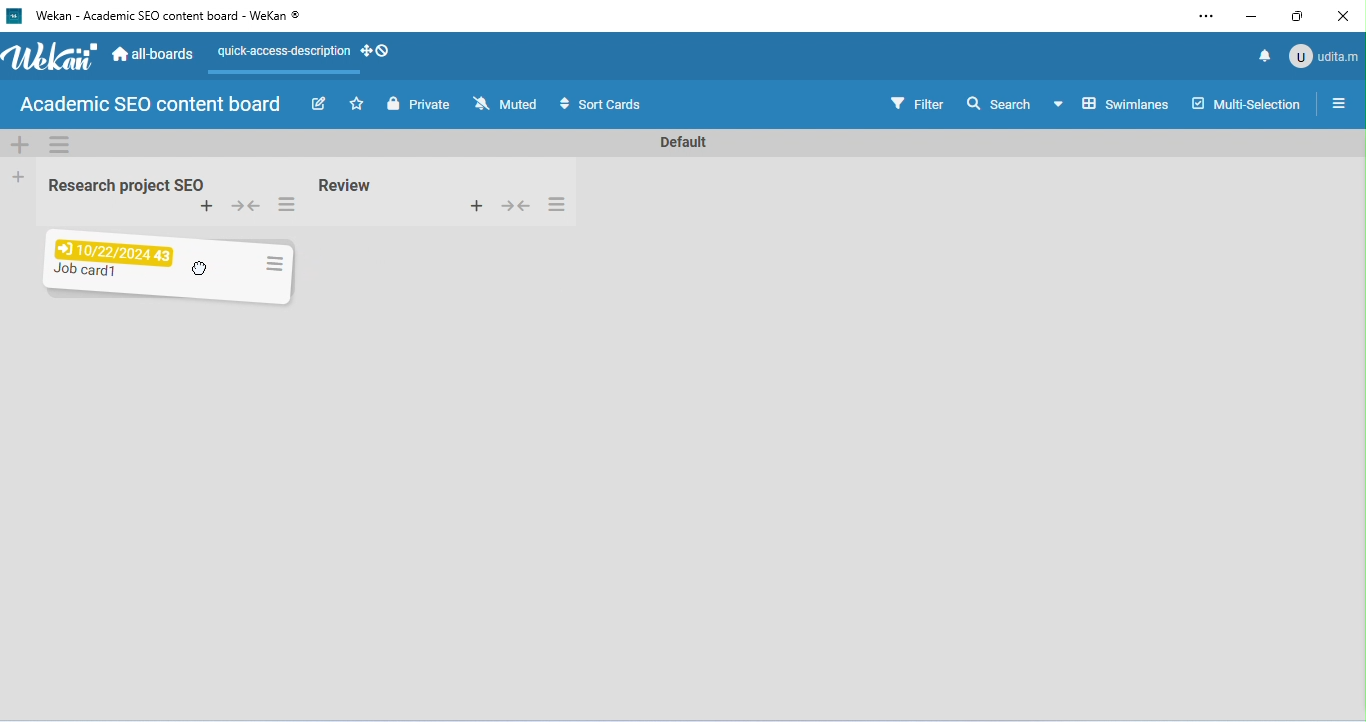 The image size is (1366, 722). I want to click on add card to top of list, so click(475, 204).